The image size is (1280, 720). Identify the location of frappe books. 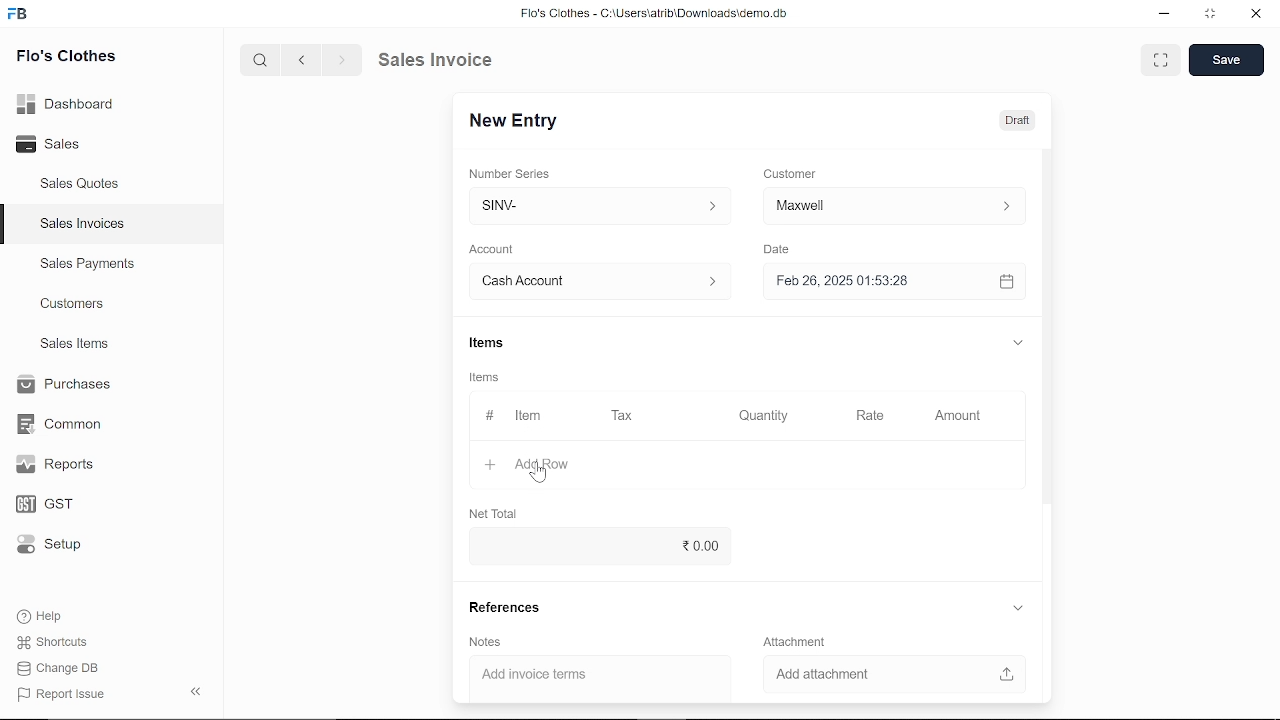
(18, 16).